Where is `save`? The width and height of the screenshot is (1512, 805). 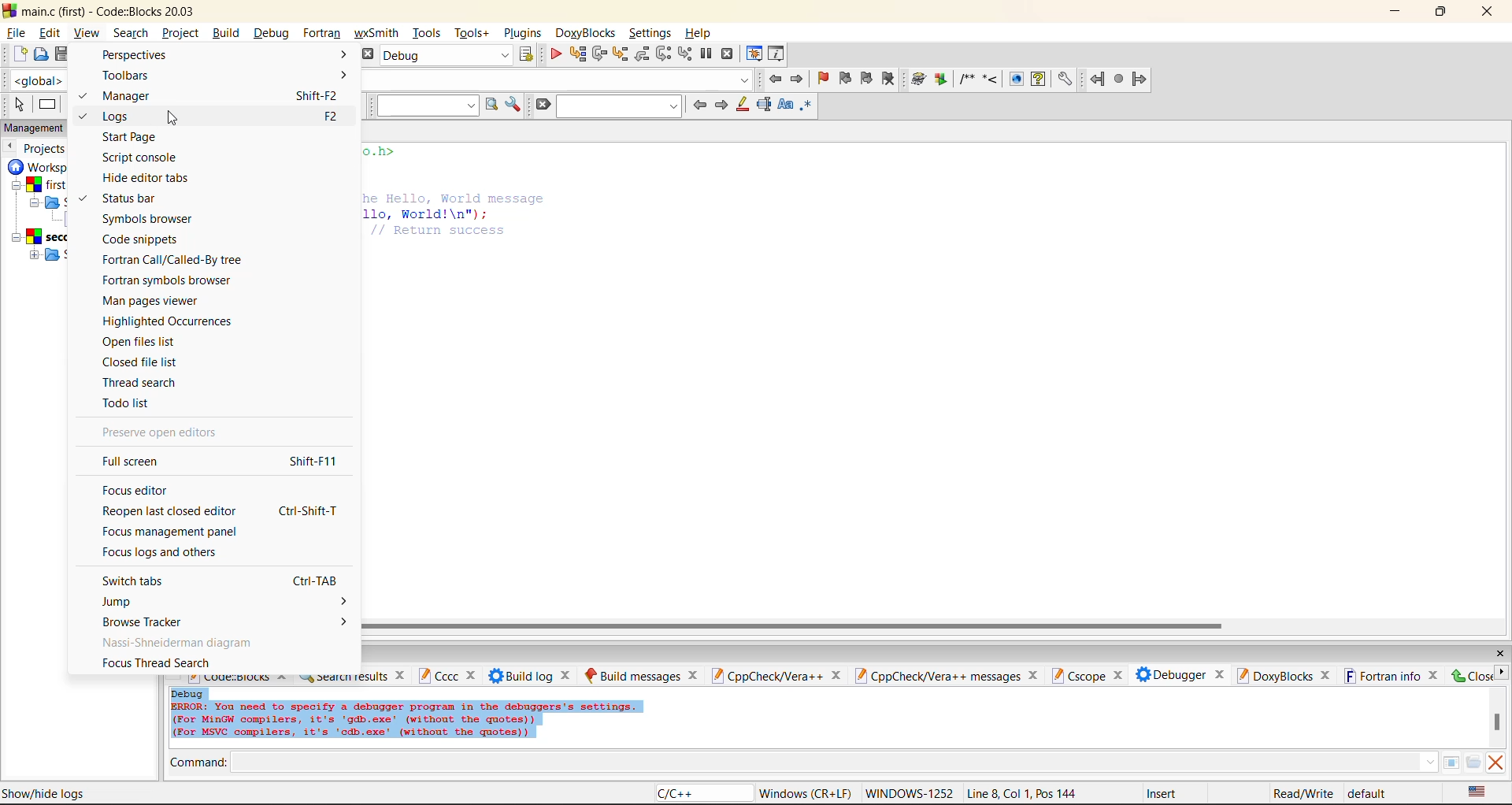 save is located at coordinates (63, 54).